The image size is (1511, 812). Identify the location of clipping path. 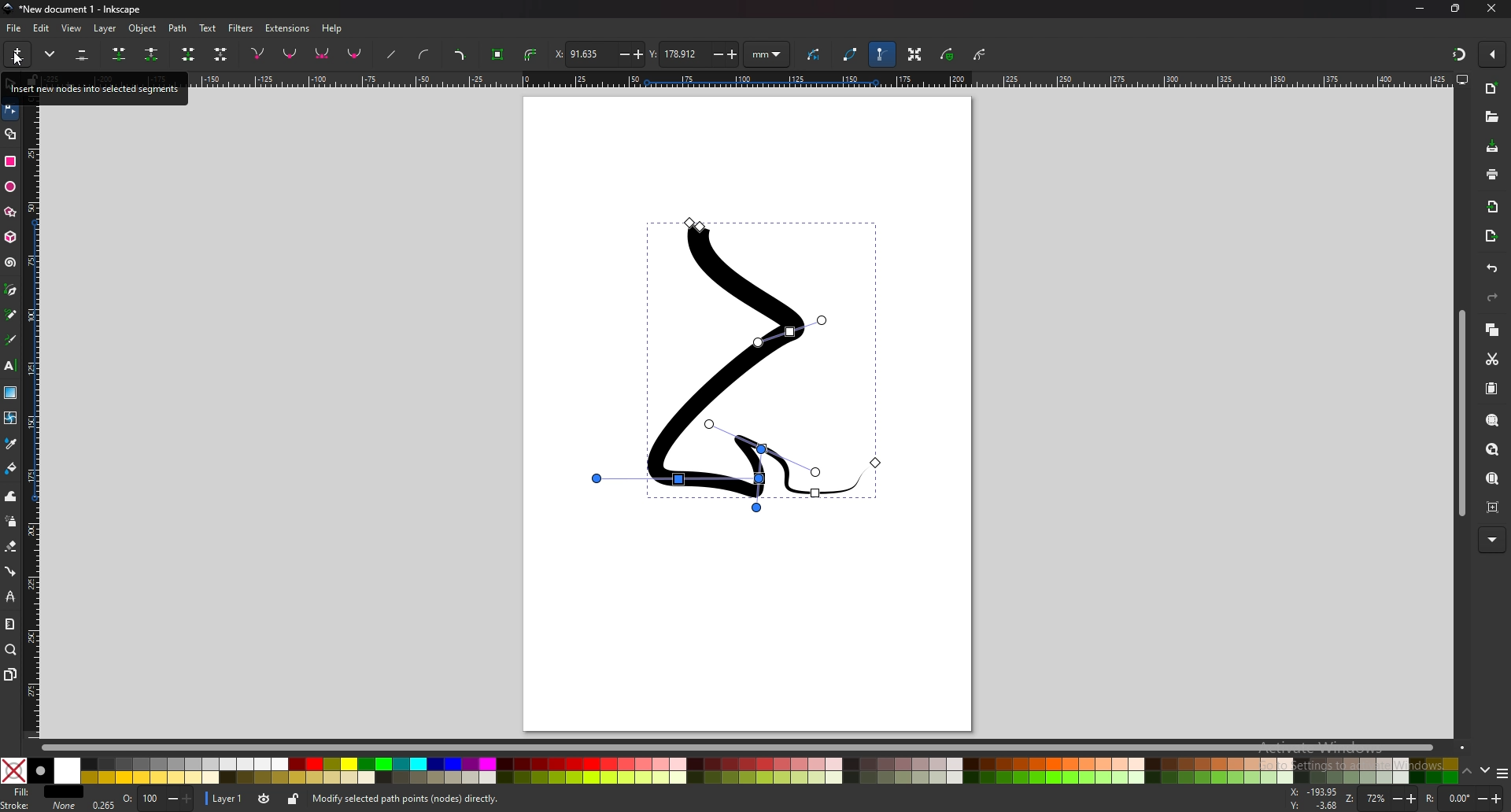
(980, 54).